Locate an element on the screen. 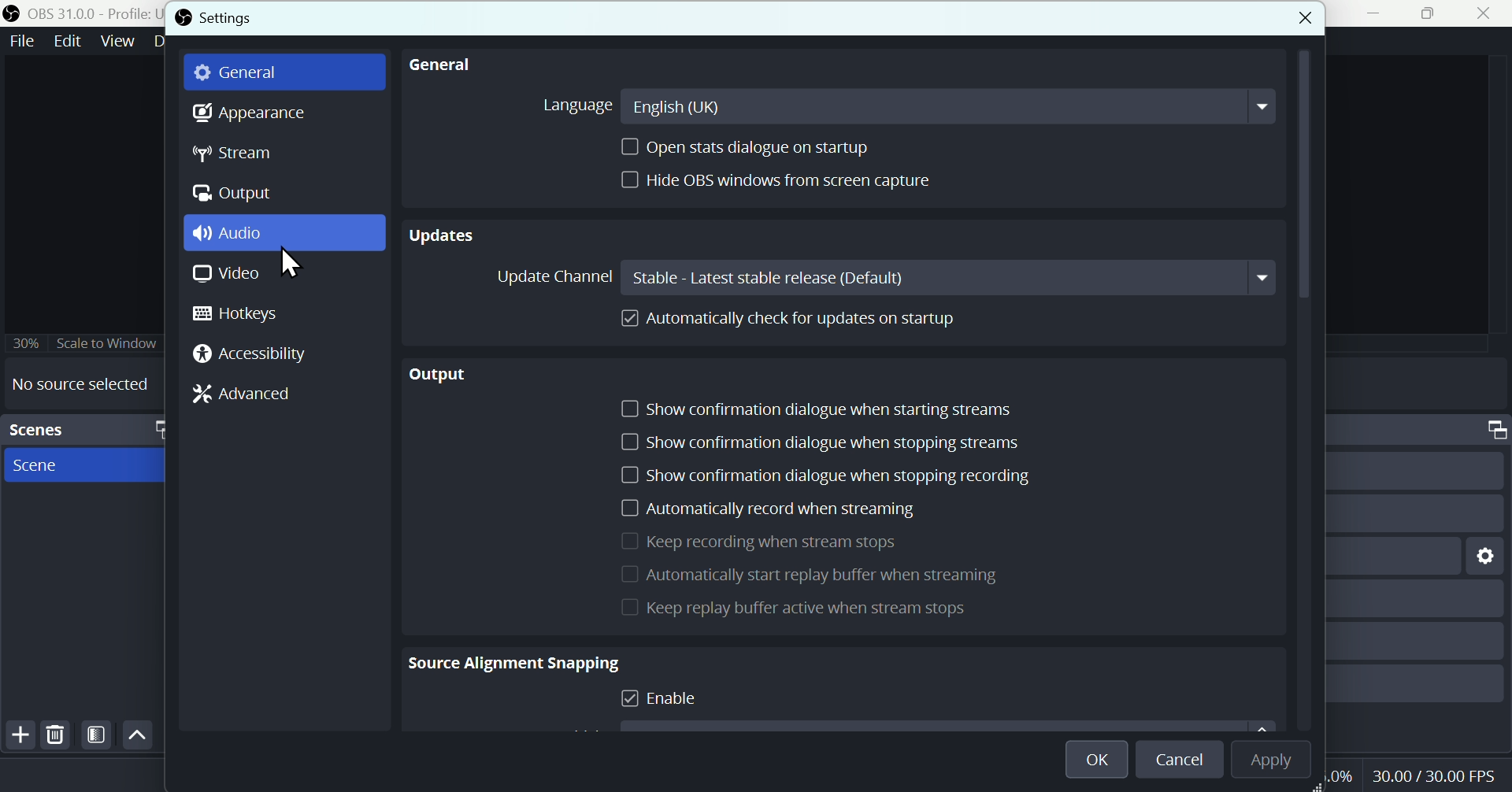 The width and height of the screenshot is (1512, 792). keep replay buffer active when stream stops is located at coordinates (779, 612).